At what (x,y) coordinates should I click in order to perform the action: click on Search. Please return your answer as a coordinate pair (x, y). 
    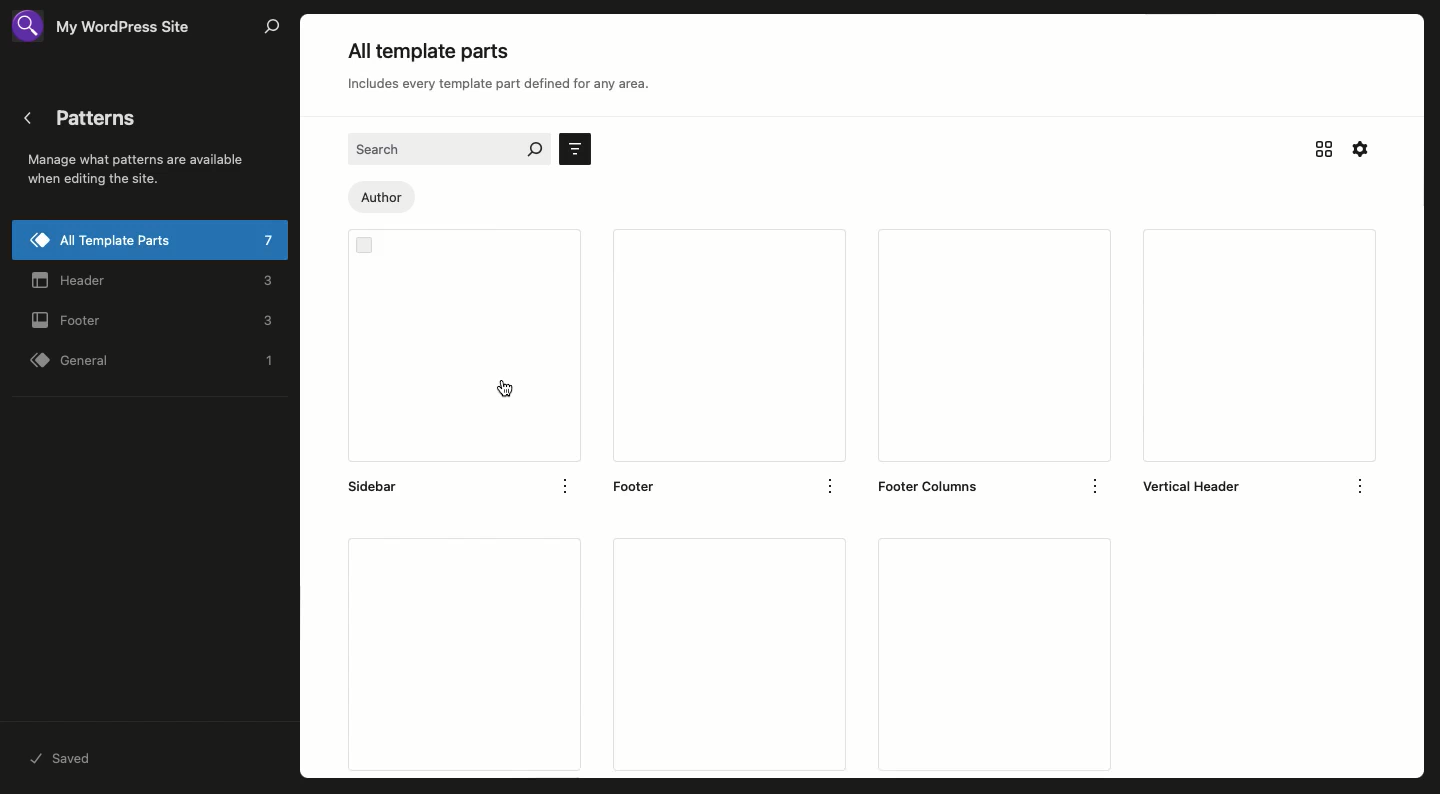
    Looking at the image, I should click on (272, 27).